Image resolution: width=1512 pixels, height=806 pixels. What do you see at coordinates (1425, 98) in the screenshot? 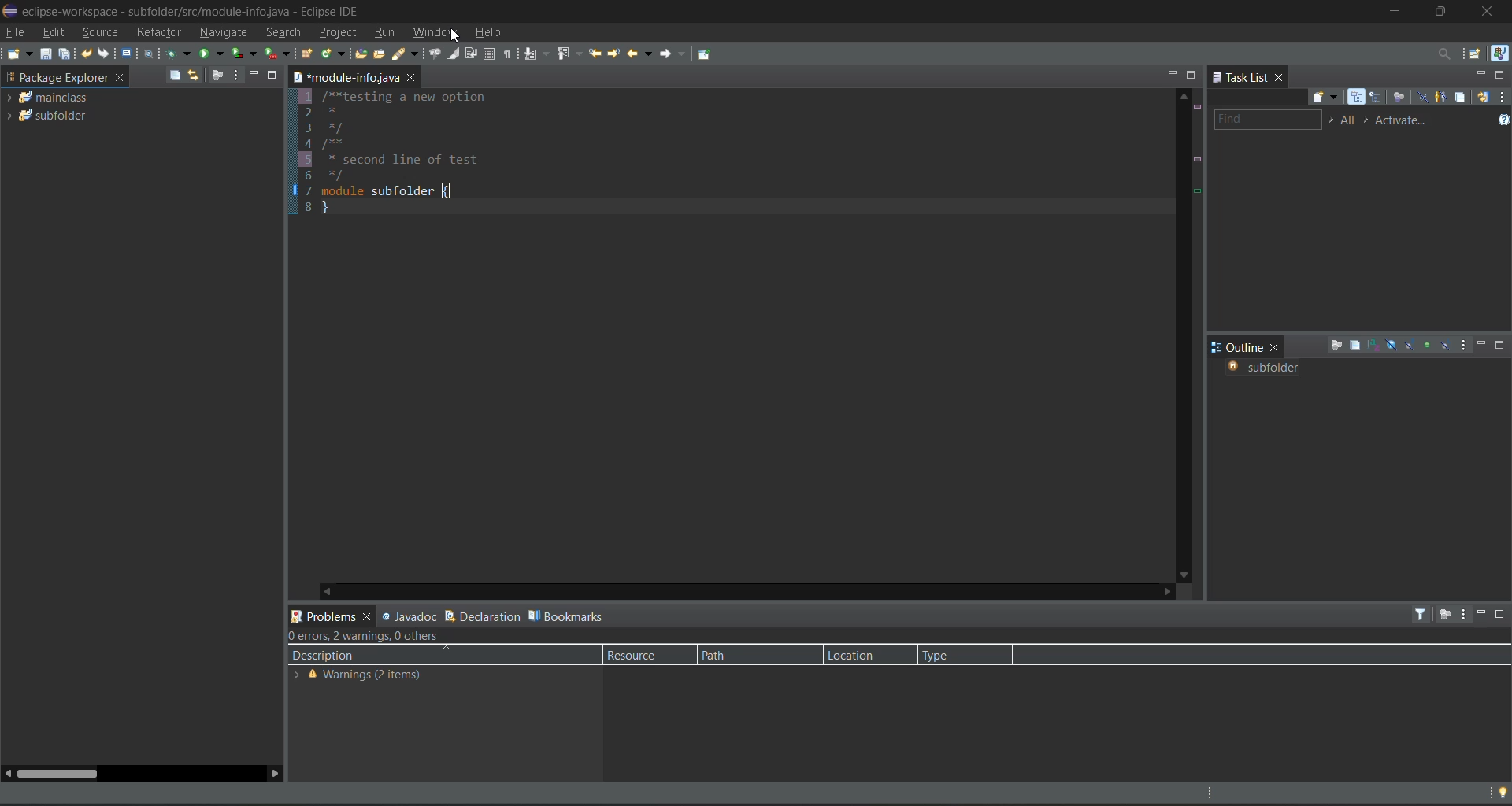
I see `hide completed tasks` at bounding box center [1425, 98].